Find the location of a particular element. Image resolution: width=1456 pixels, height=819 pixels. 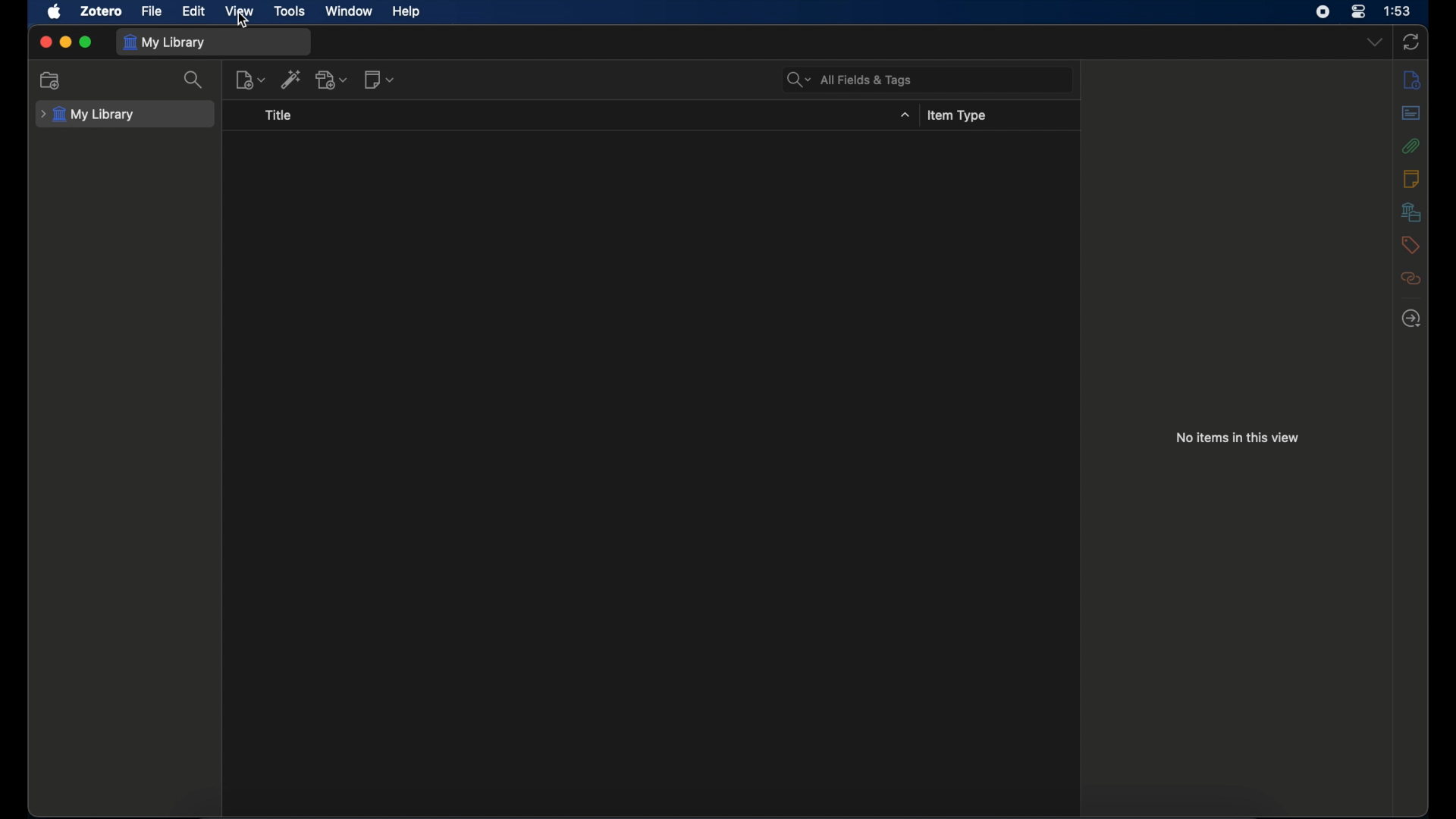

item type is located at coordinates (956, 116).